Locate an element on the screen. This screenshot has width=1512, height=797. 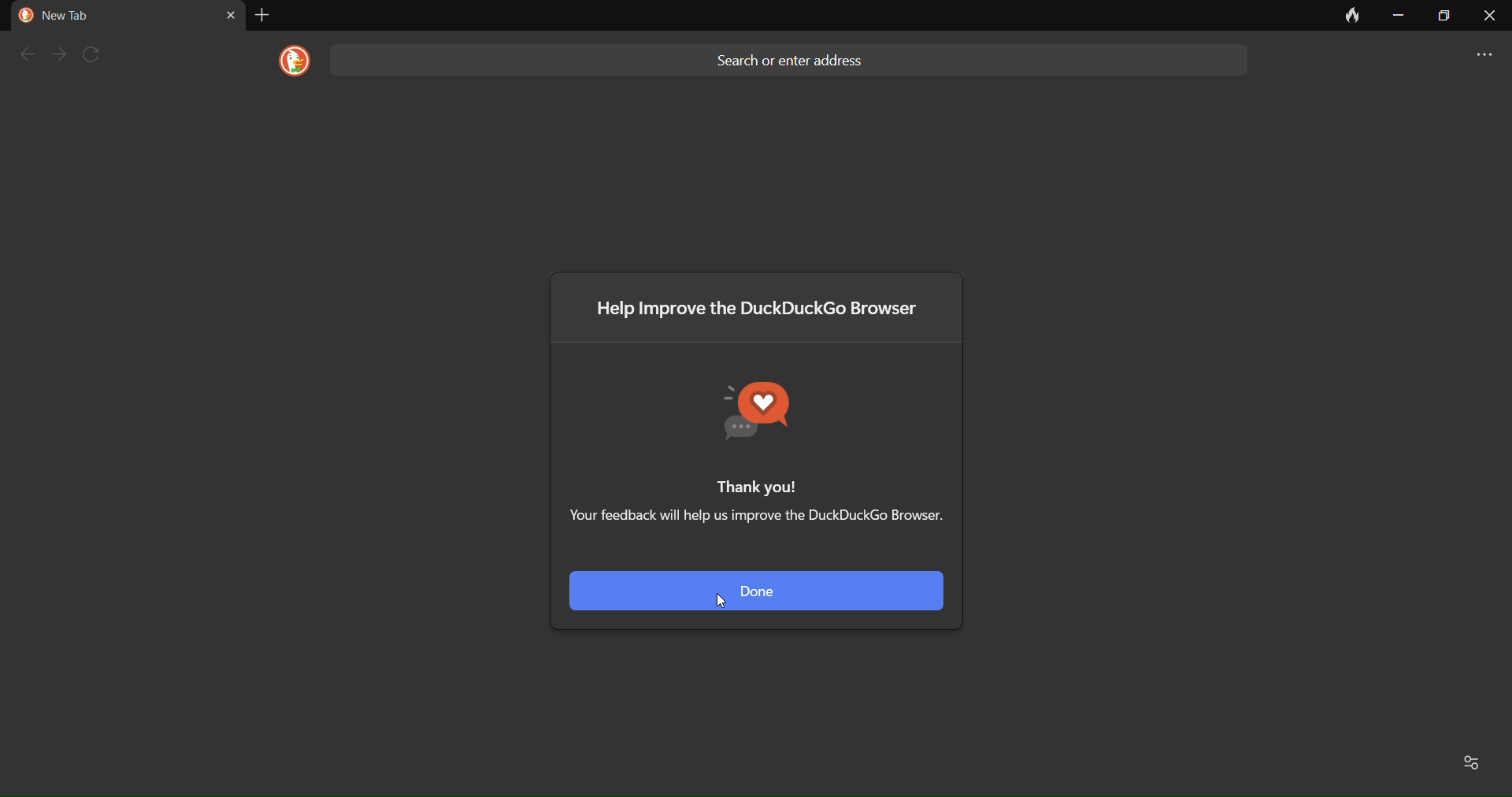
back is located at coordinates (25, 54).